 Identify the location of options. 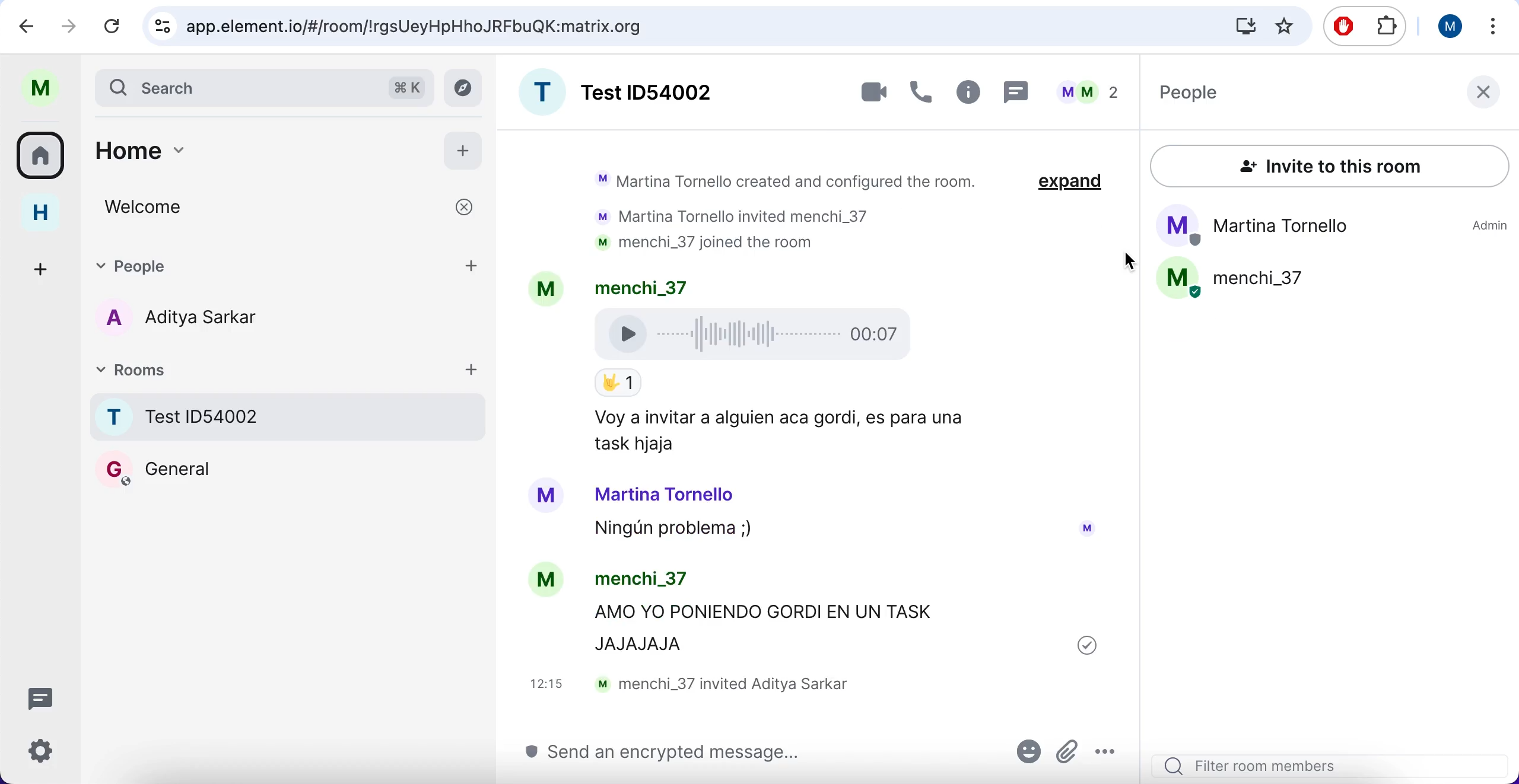
(1113, 751).